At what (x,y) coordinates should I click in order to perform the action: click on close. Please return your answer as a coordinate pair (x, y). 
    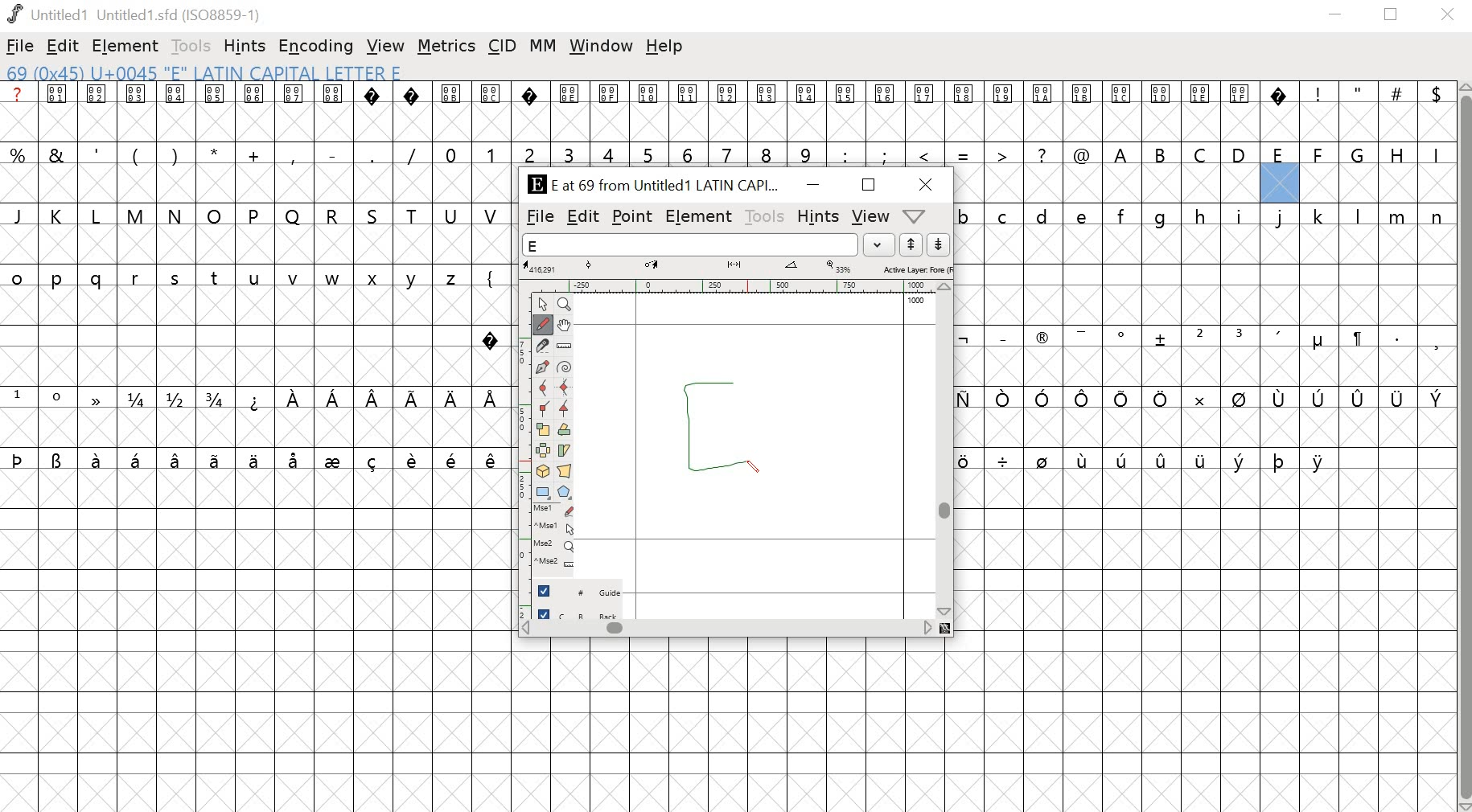
    Looking at the image, I should click on (928, 185).